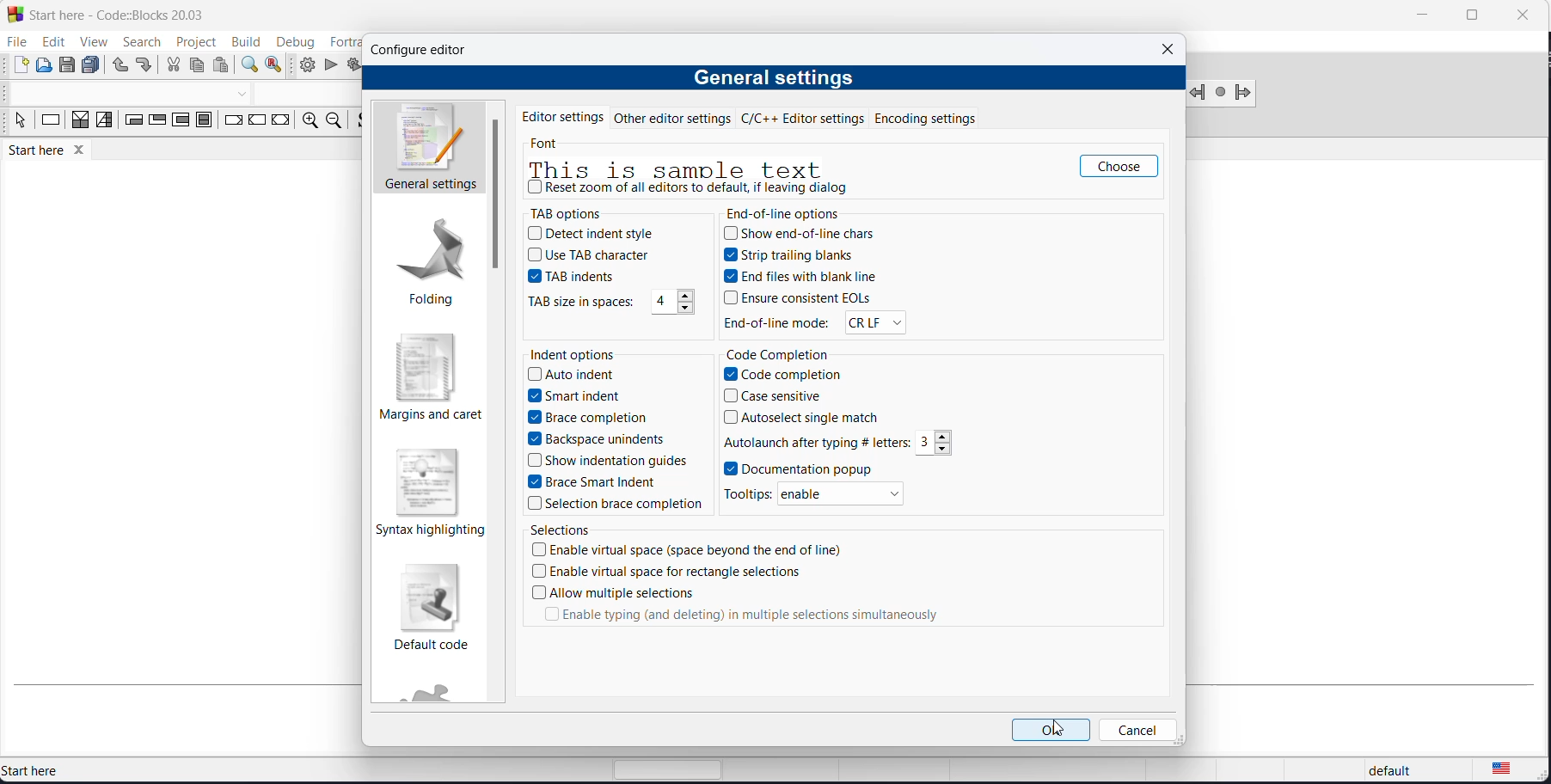 The width and height of the screenshot is (1551, 784). Describe the element at coordinates (359, 123) in the screenshot. I see `source comments` at that location.